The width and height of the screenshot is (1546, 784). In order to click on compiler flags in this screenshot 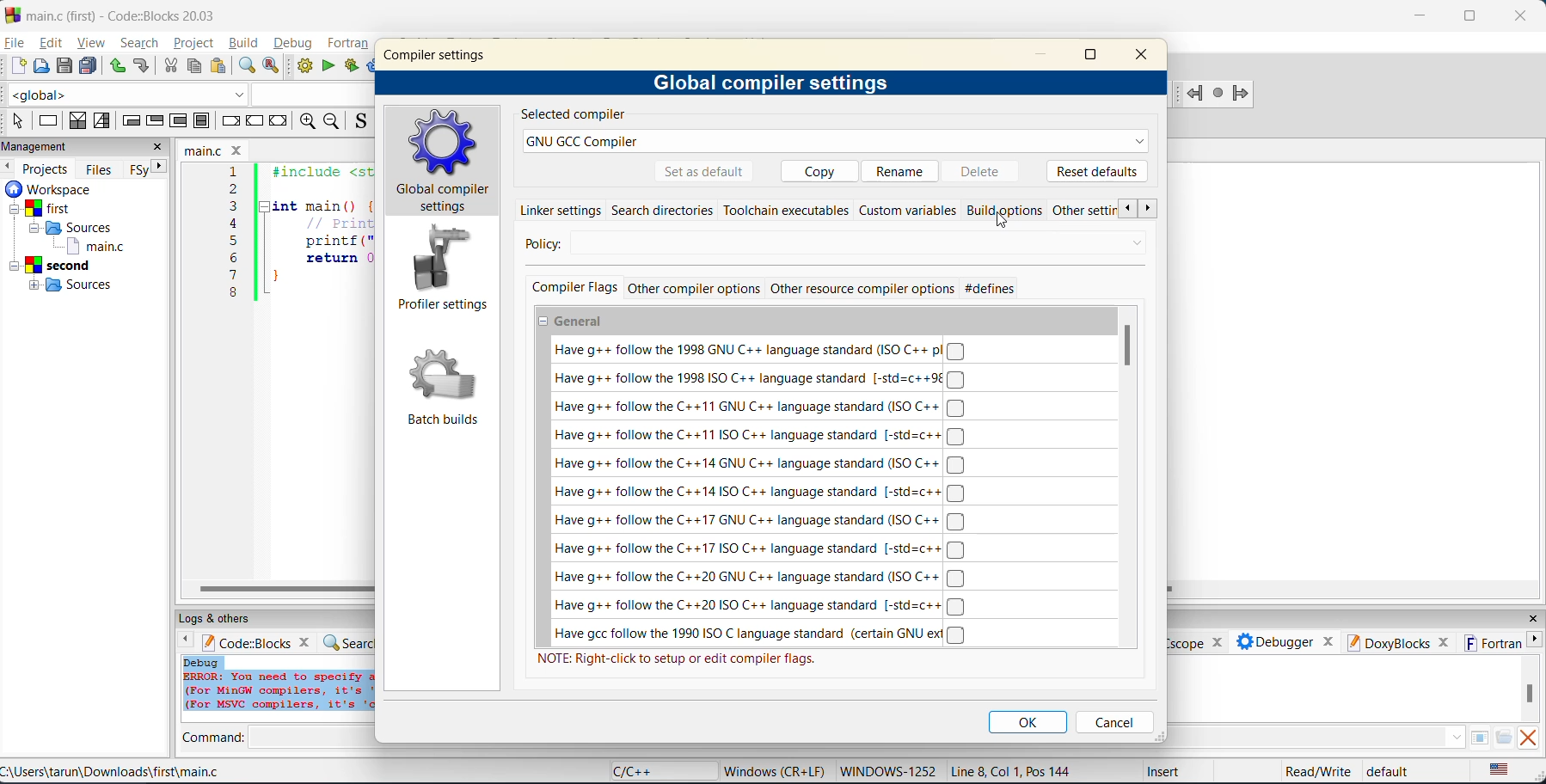, I will do `click(574, 288)`.